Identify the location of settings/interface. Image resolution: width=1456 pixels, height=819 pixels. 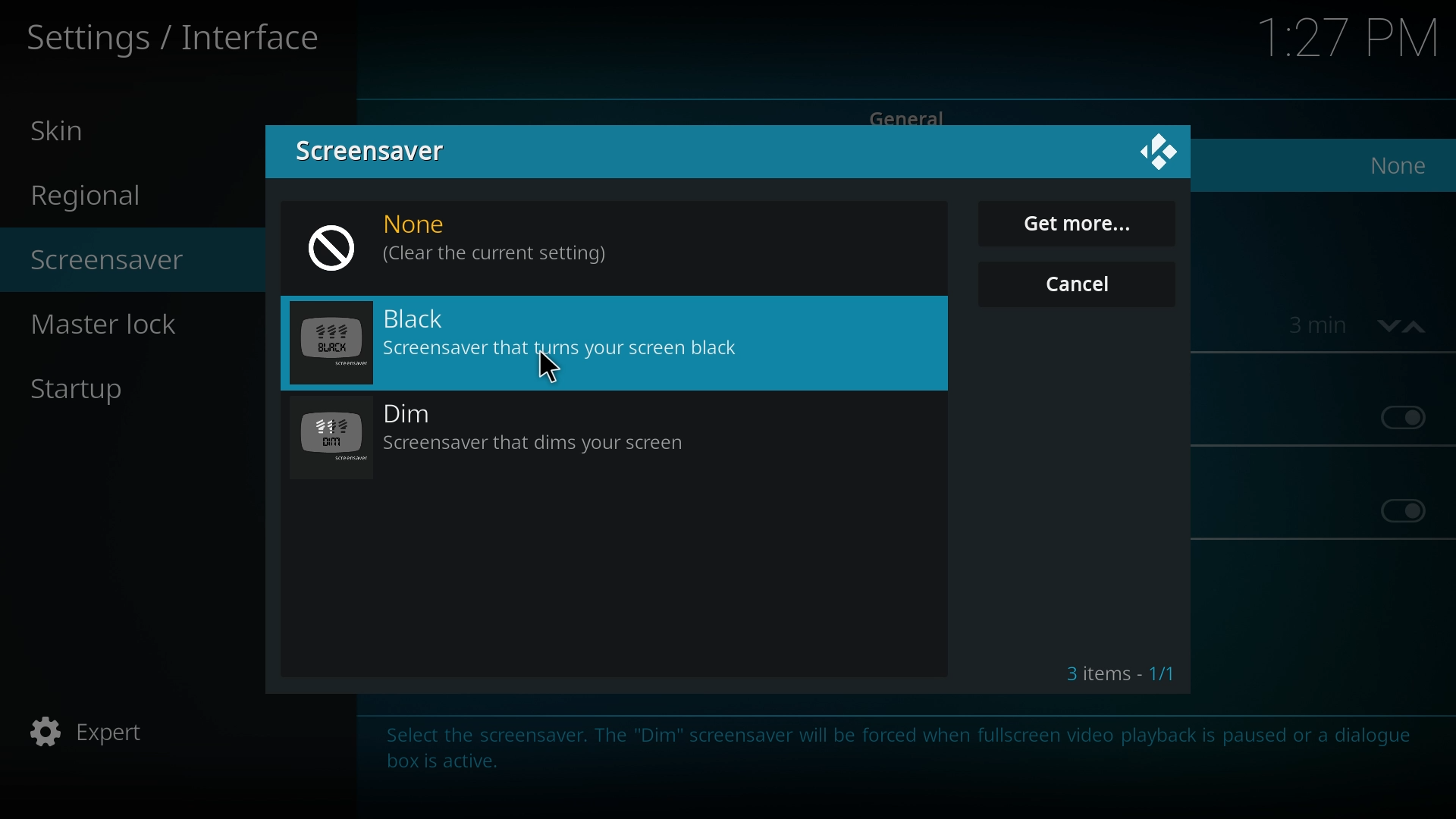
(180, 35).